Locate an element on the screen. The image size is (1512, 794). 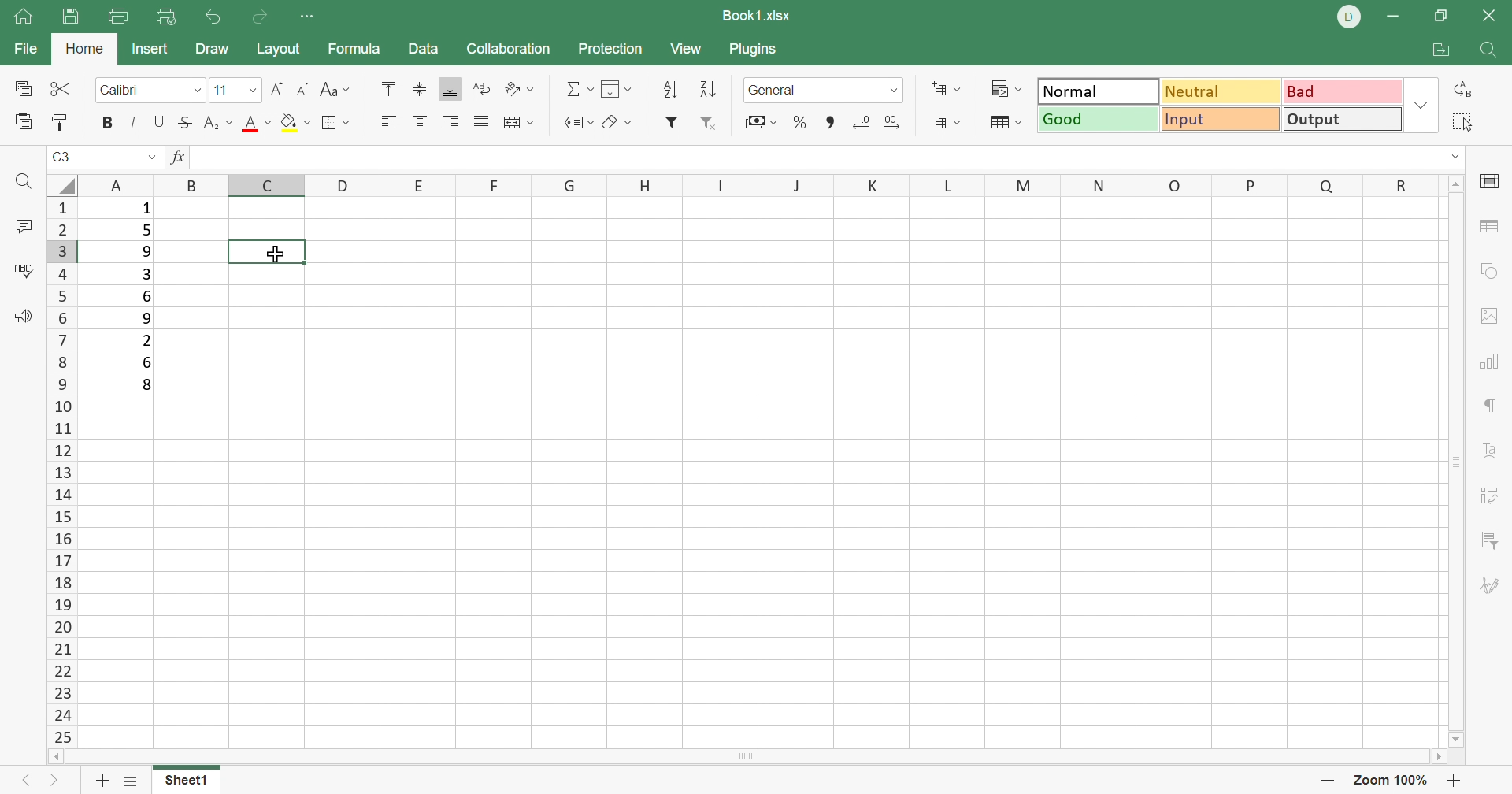
Insert cells is located at coordinates (948, 90).